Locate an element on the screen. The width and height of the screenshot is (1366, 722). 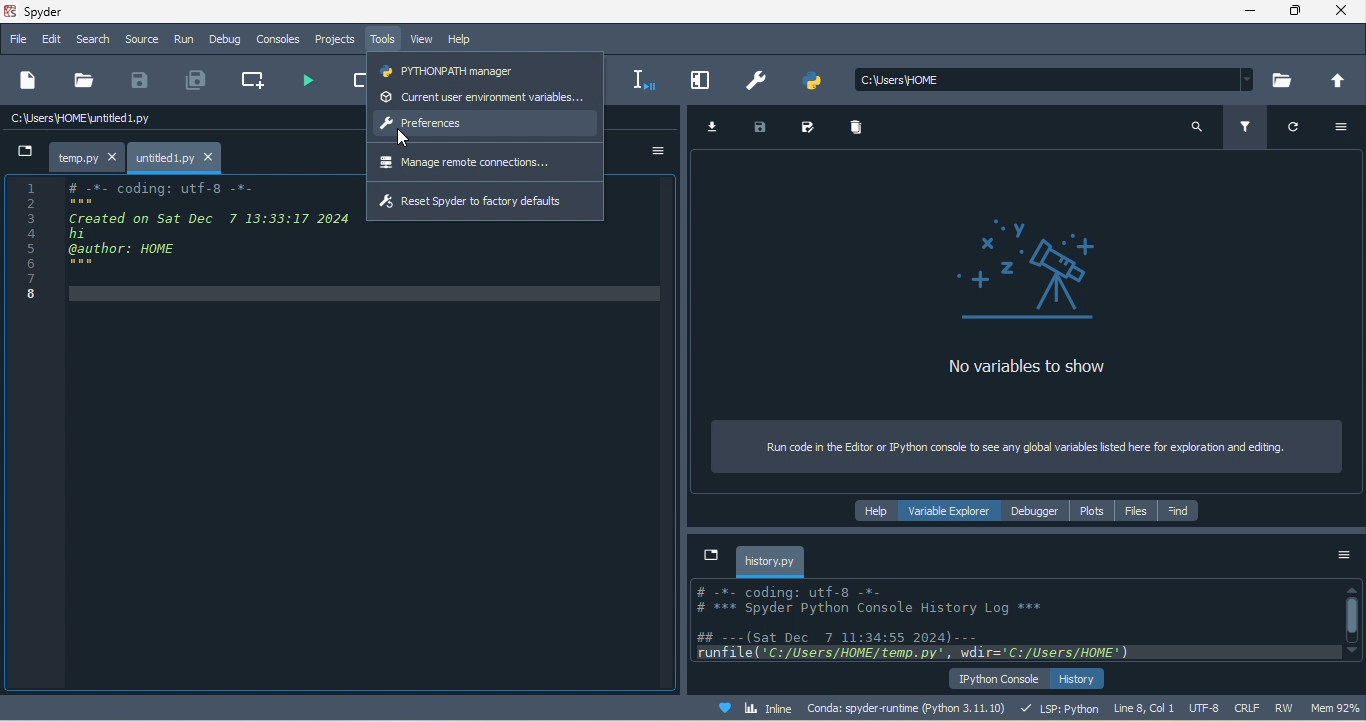
file is located at coordinates (86, 79).